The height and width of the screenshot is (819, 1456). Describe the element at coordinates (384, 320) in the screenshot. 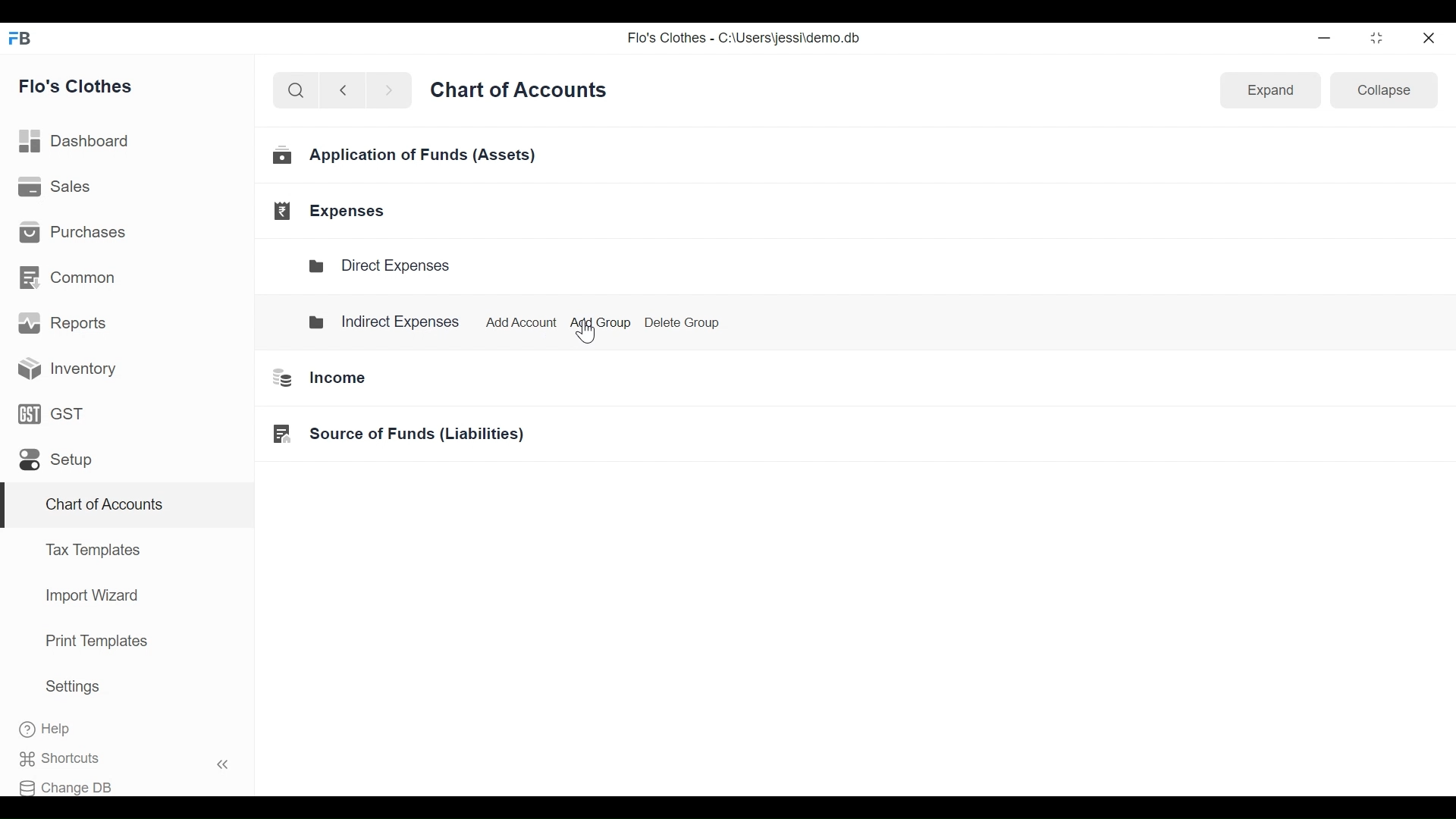

I see `Indirect Expenses` at that location.